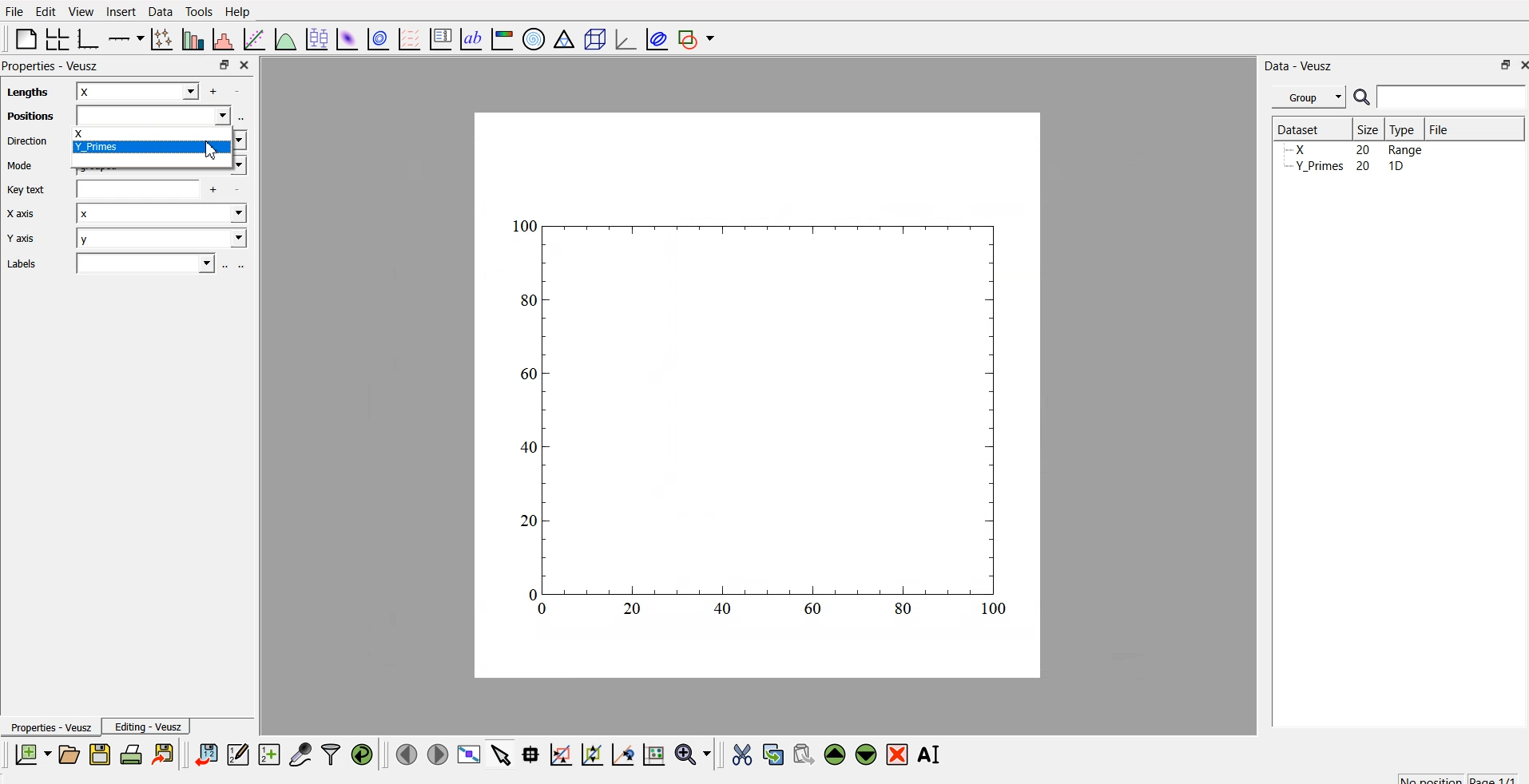 The image size is (1529, 784). I want to click on x y_PRIMES, so click(161, 151).